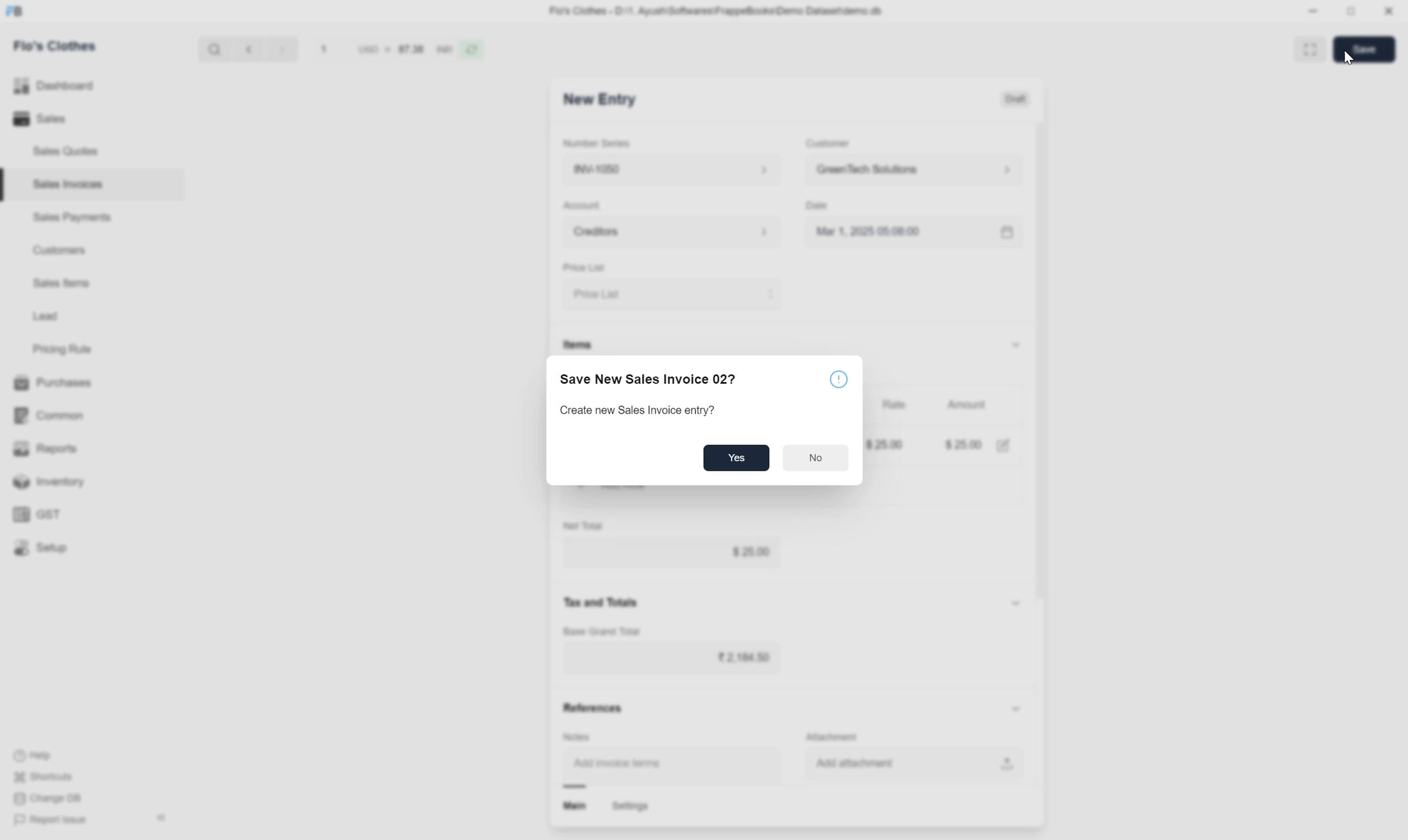 The image size is (1408, 840). What do you see at coordinates (163, 818) in the screenshot?
I see `hide sidebar` at bounding box center [163, 818].